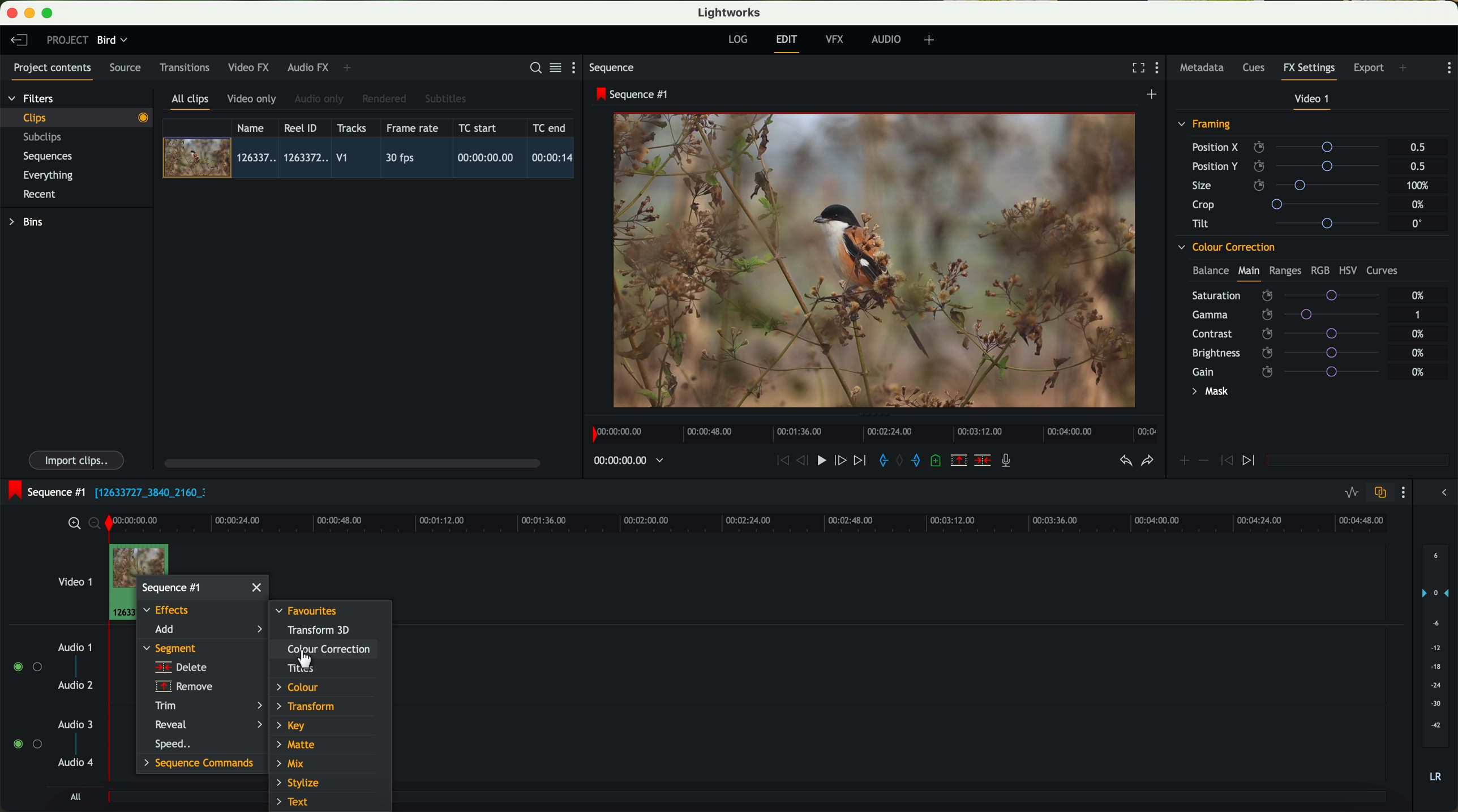 This screenshot has width=1458, height=812. Describe the element at coordinates (1420, 205) in the screenshot. I see `0%` at that location.